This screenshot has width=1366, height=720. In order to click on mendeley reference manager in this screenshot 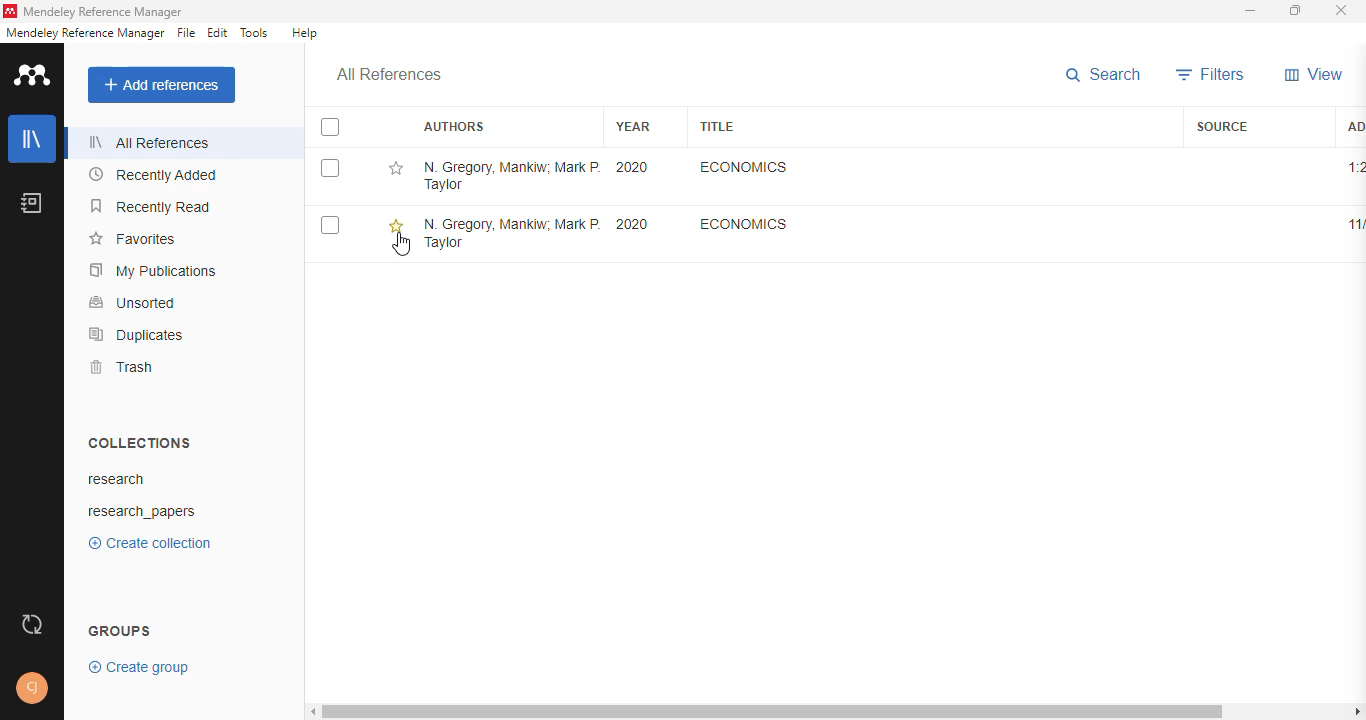, I will do `click(104, 12)`.